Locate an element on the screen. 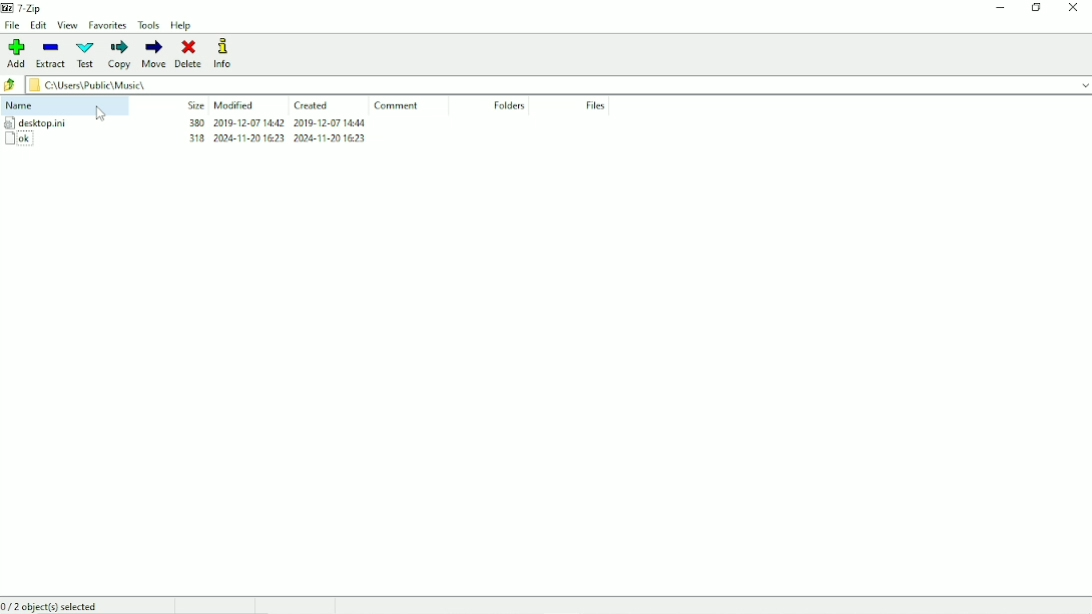  Files is located at coordinates (597, 106).